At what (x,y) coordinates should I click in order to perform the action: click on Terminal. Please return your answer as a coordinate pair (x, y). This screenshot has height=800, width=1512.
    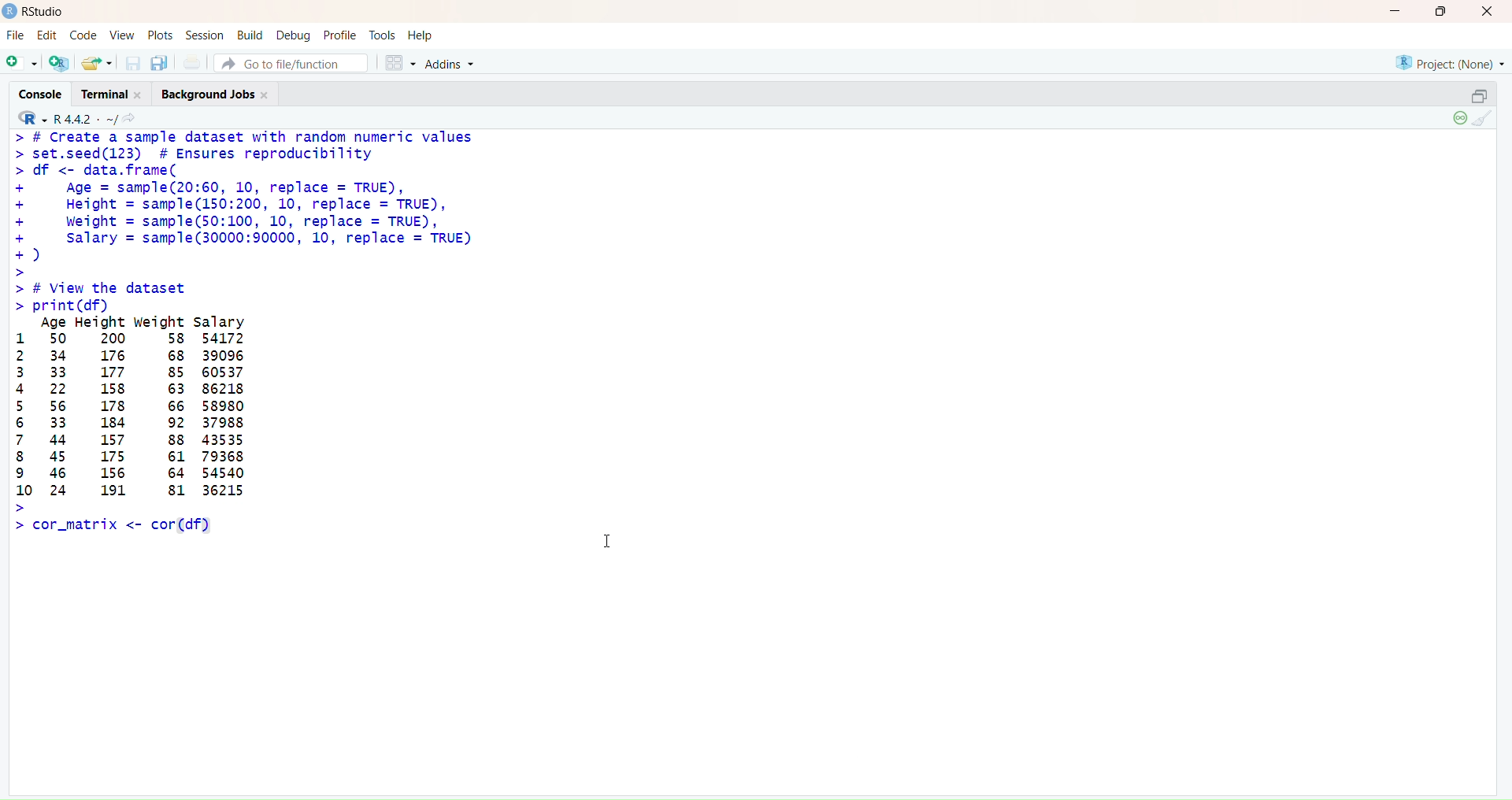
    Looking at the image, I should click on (117, 94).